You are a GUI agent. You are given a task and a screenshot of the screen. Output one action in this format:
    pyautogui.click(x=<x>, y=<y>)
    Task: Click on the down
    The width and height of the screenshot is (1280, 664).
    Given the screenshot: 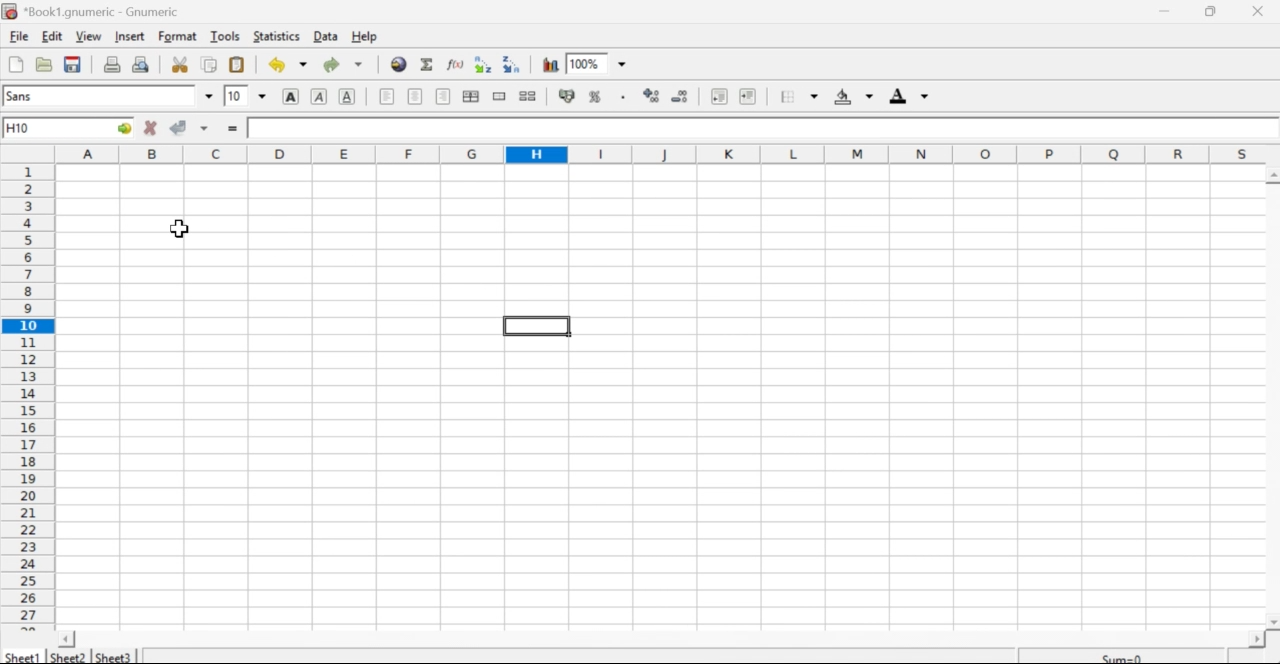 What is the action you would take?
    pyautogui.click(x=304, y=65)
    